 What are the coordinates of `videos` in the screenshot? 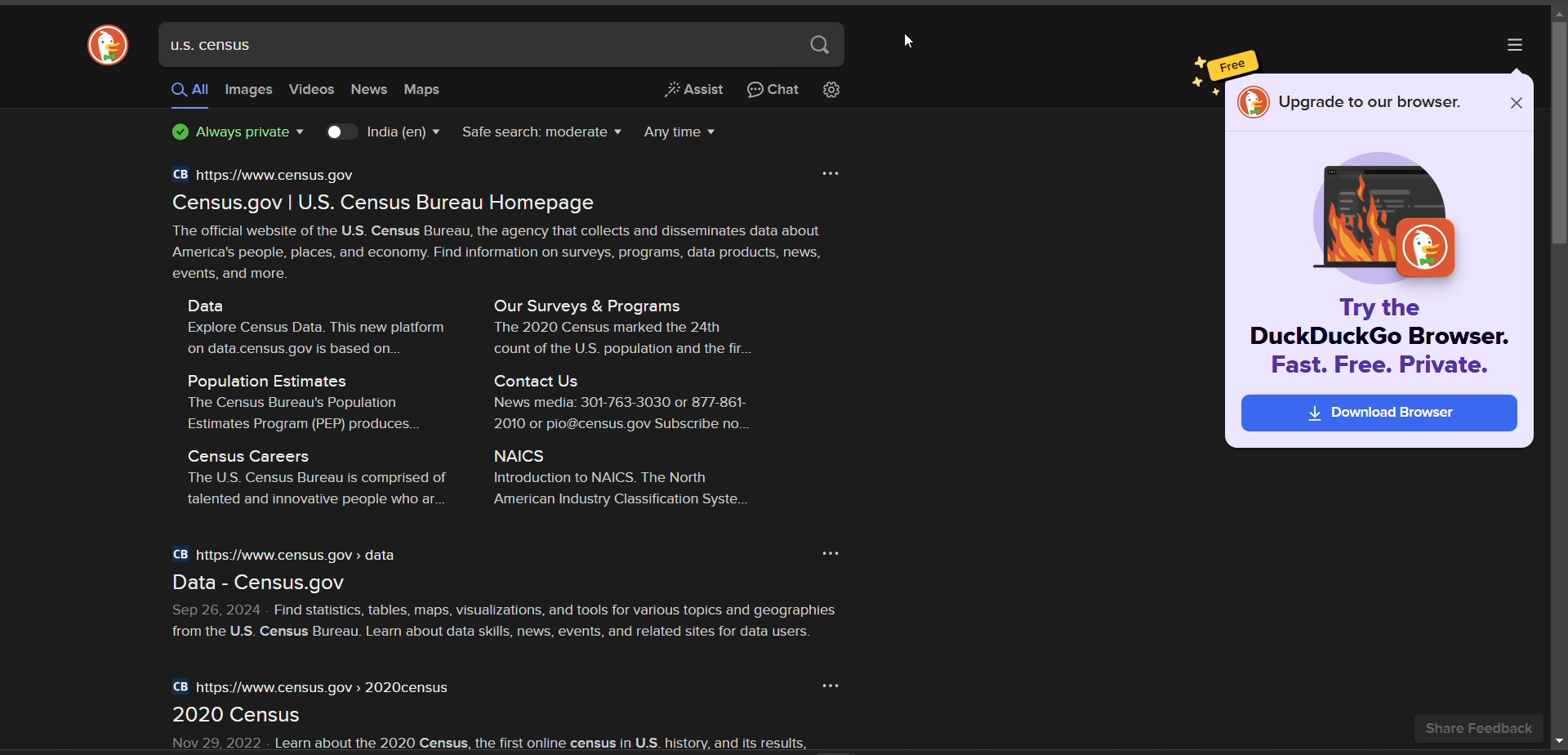 It's located at (313, 89).